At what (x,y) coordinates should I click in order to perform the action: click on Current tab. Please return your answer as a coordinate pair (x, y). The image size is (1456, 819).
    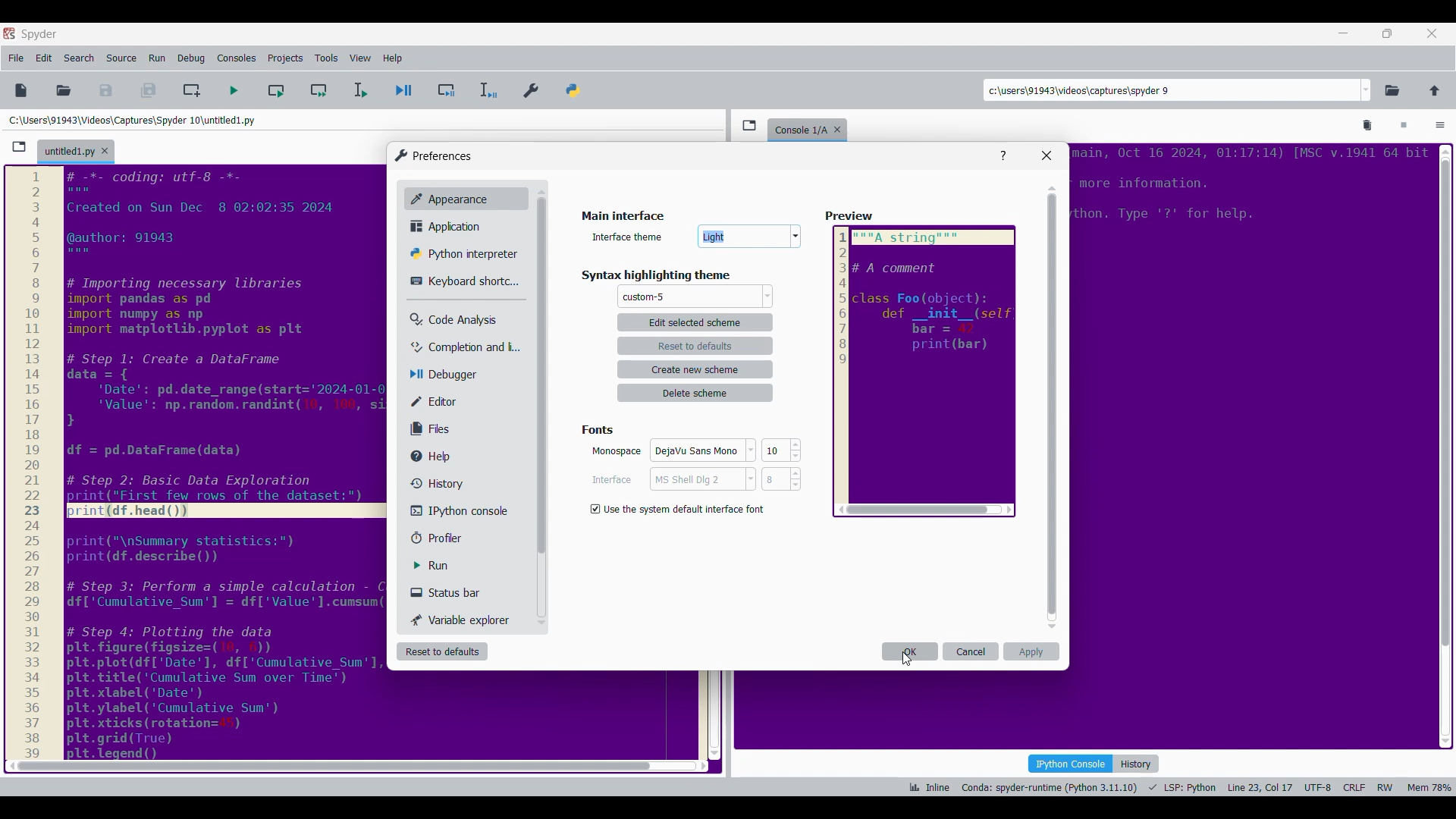
    Looking at the image, I should click on (69, 152).